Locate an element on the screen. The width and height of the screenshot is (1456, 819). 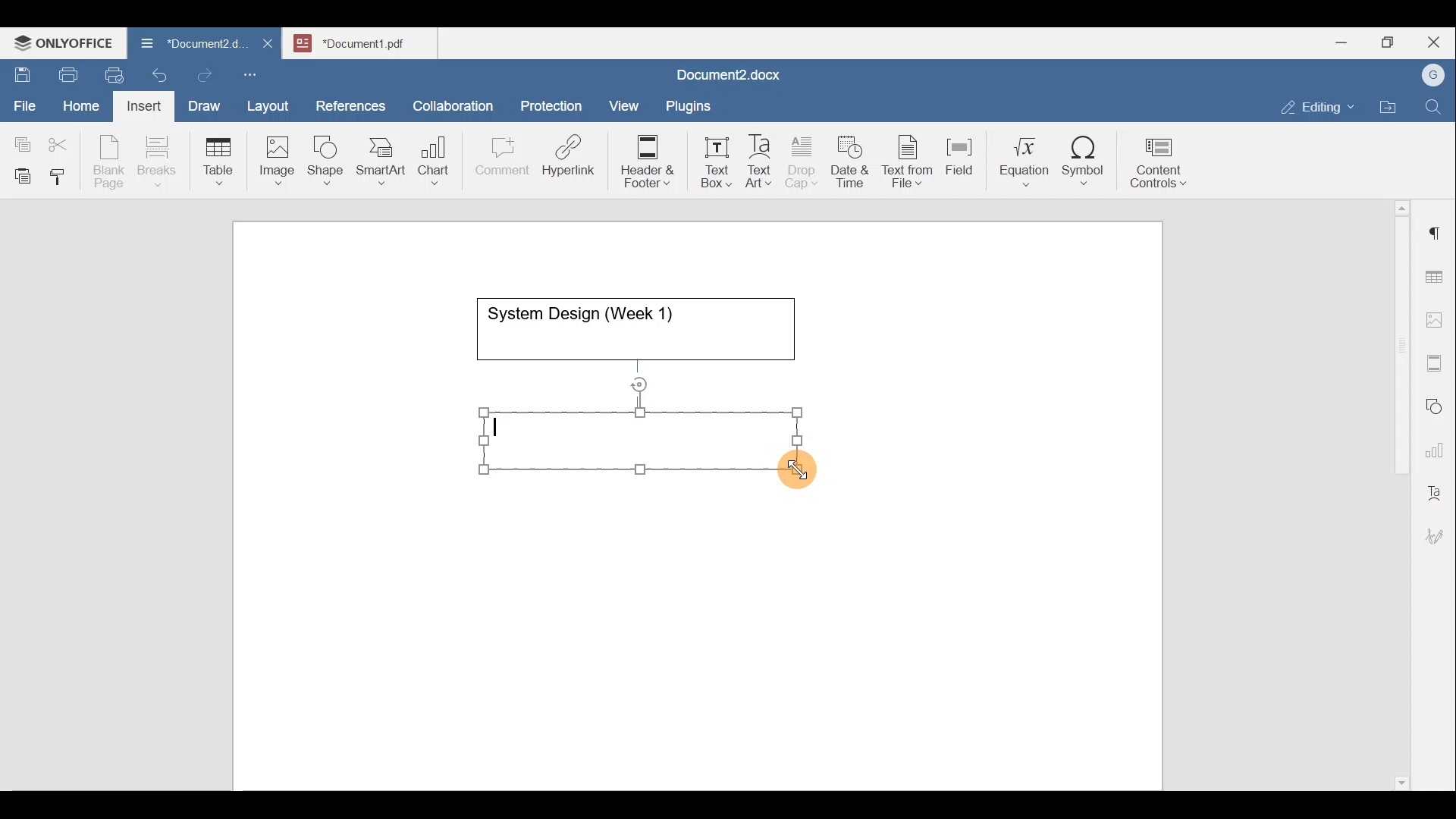
Text Art is located at coordinates (760, 162).